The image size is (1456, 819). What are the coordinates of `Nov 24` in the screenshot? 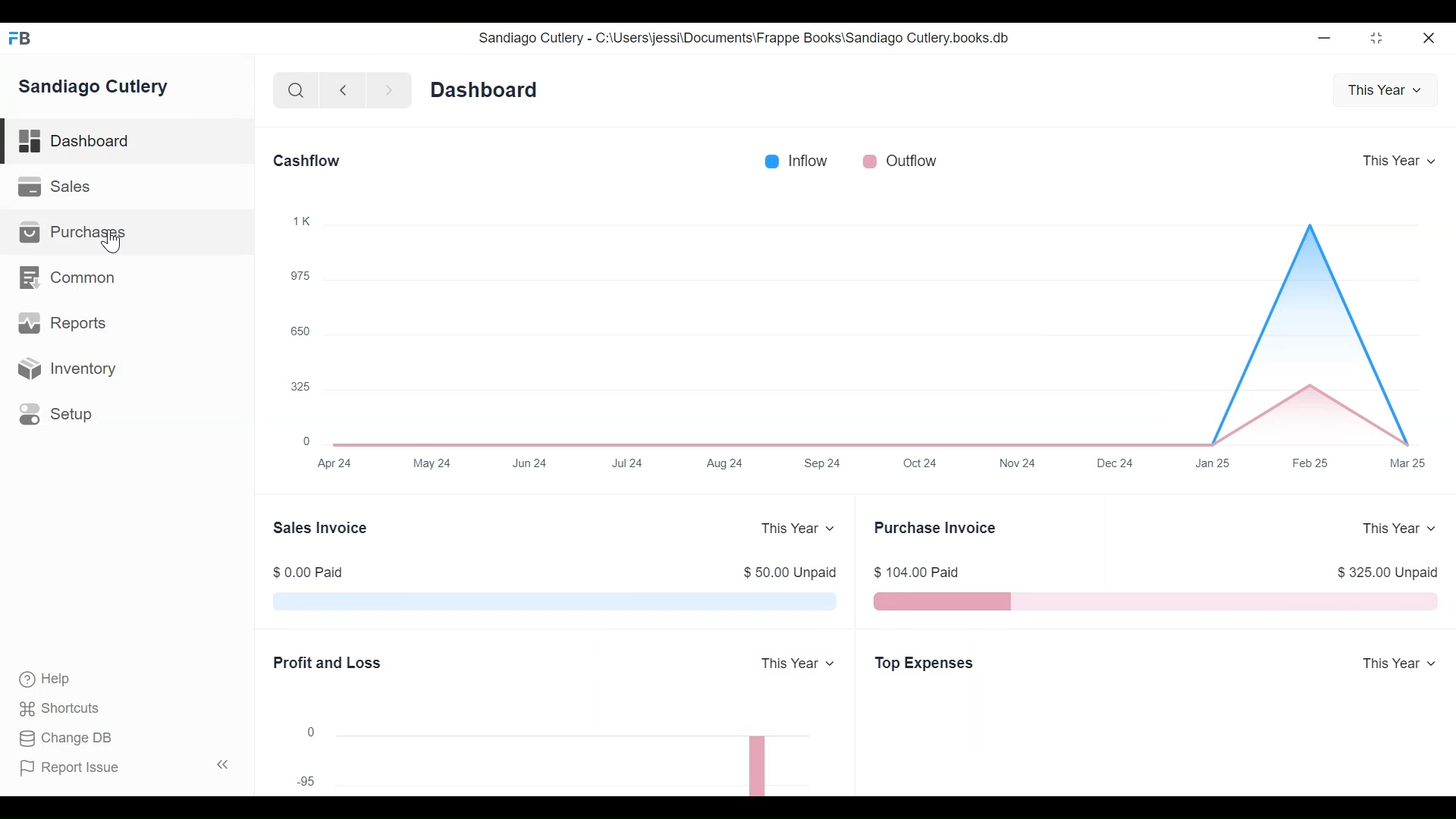 It's located at (1025, 465).